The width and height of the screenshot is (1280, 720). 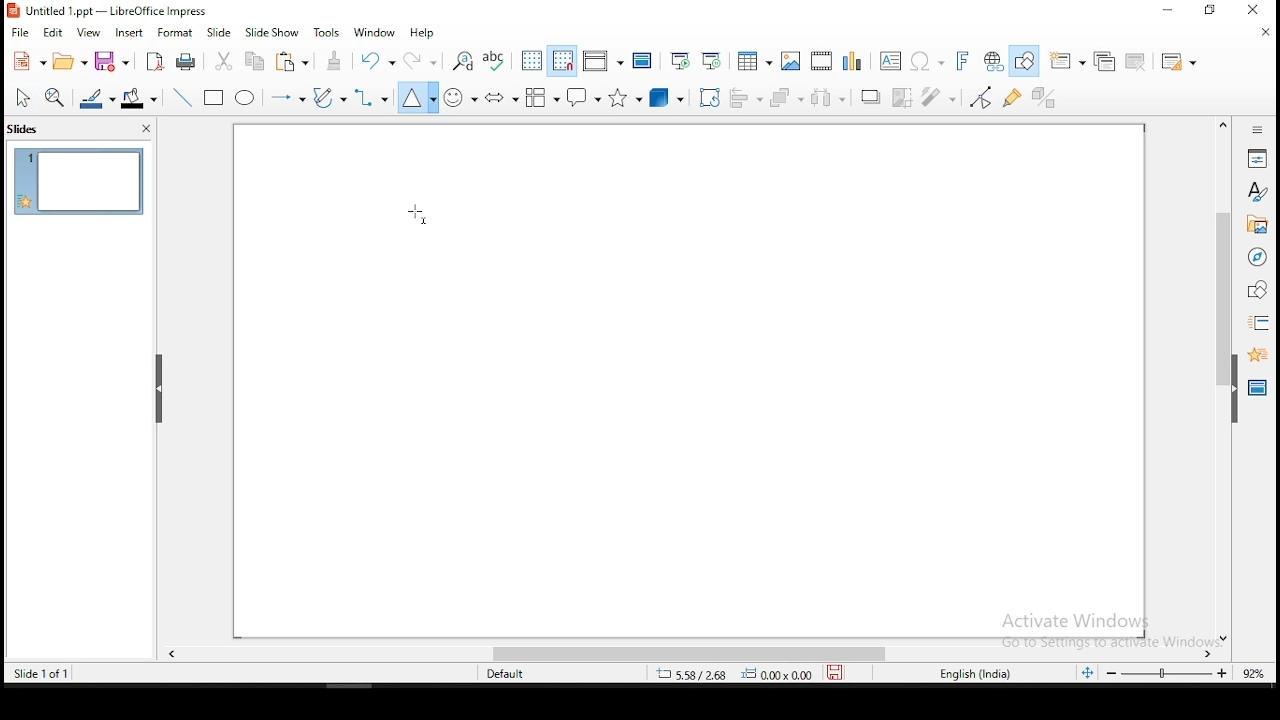 I want to click on new slide, so click(x=1069, y=60).